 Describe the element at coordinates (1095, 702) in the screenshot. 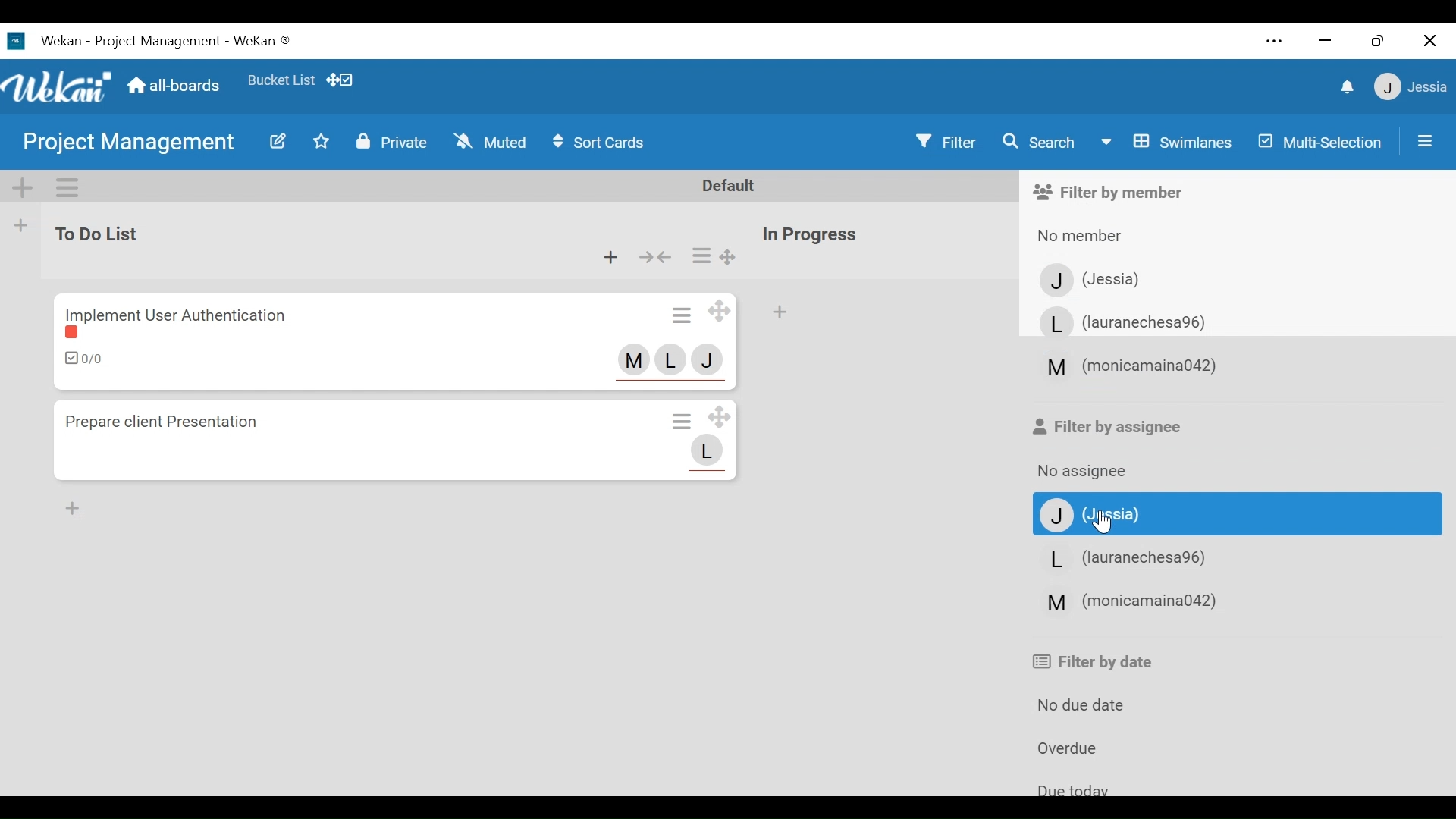

I see `No due date` at that location.